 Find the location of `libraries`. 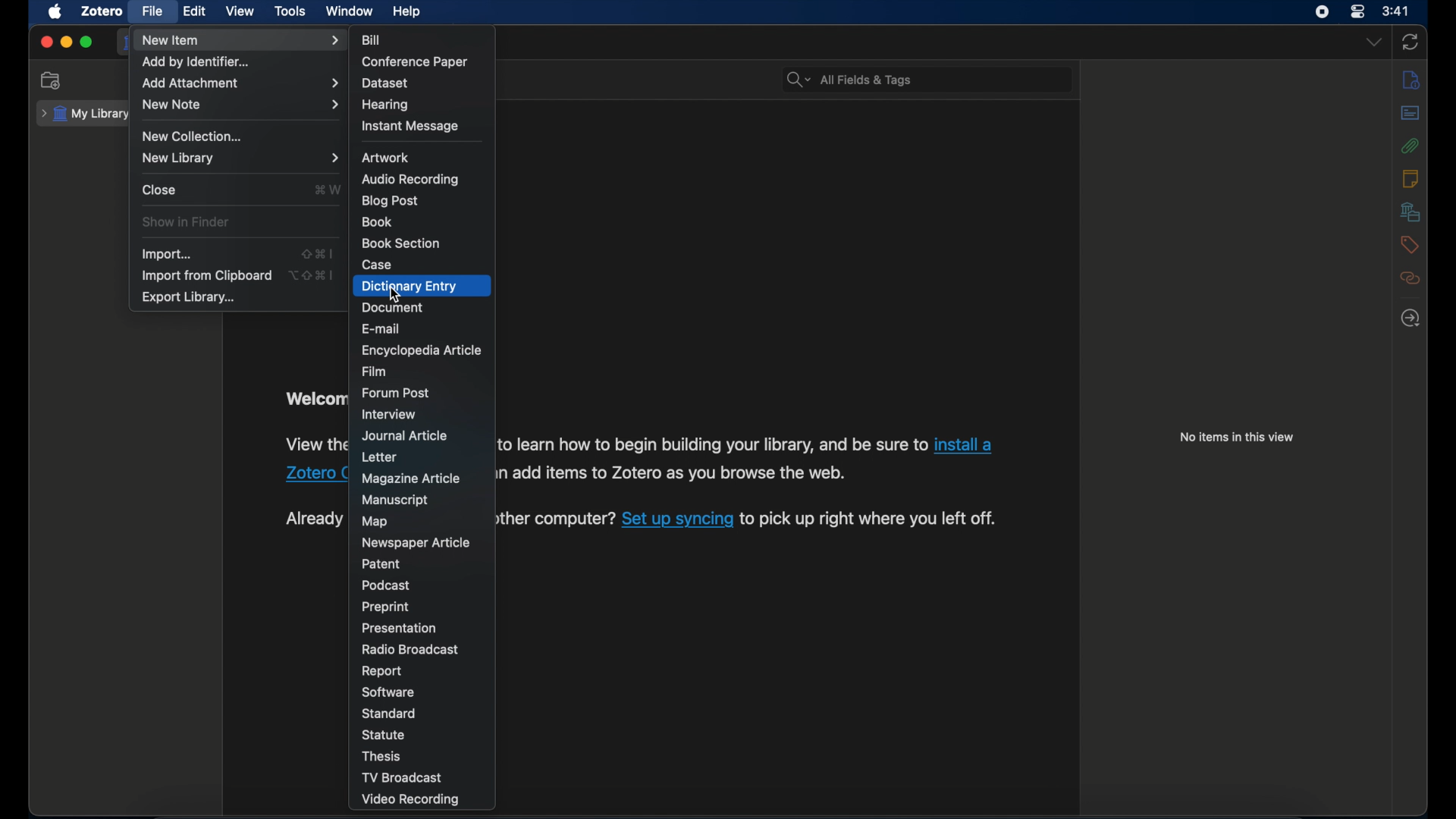

libraries is located at coordinates (1411, 212).